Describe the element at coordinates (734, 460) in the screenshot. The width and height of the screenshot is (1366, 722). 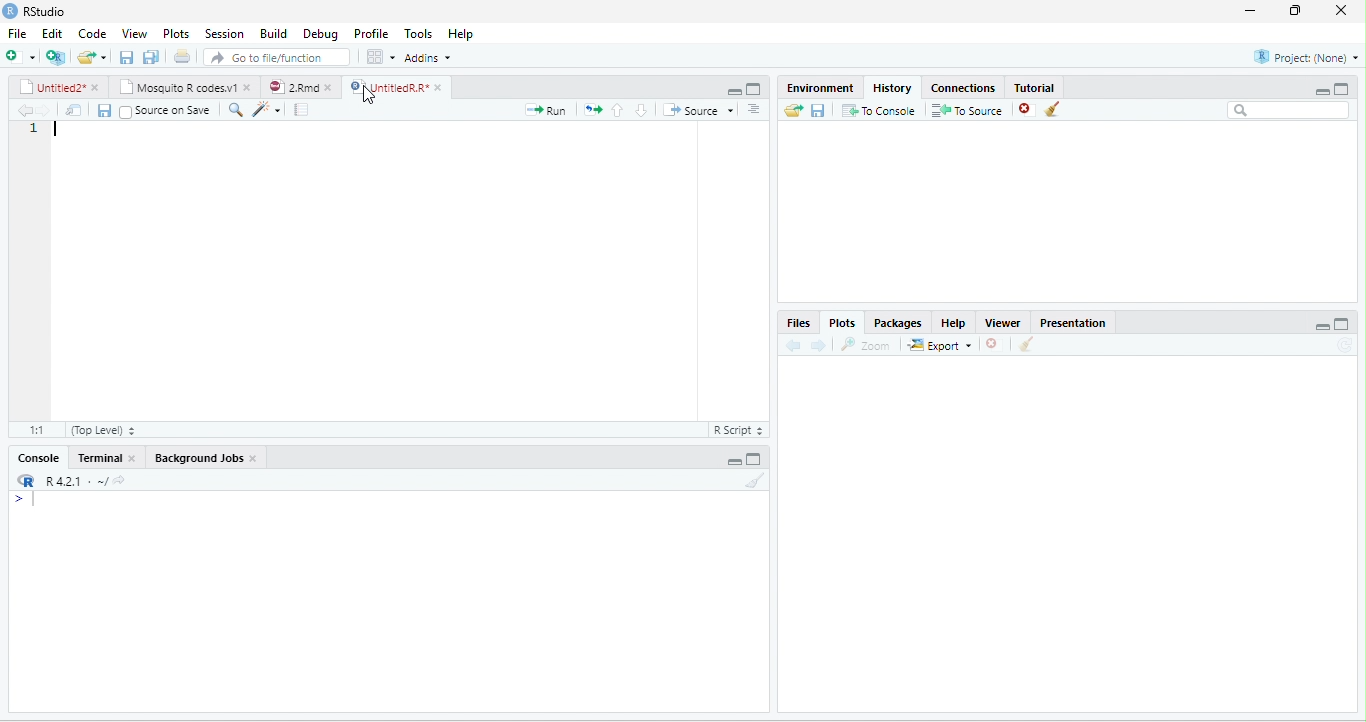
I see `minimize` at that location.